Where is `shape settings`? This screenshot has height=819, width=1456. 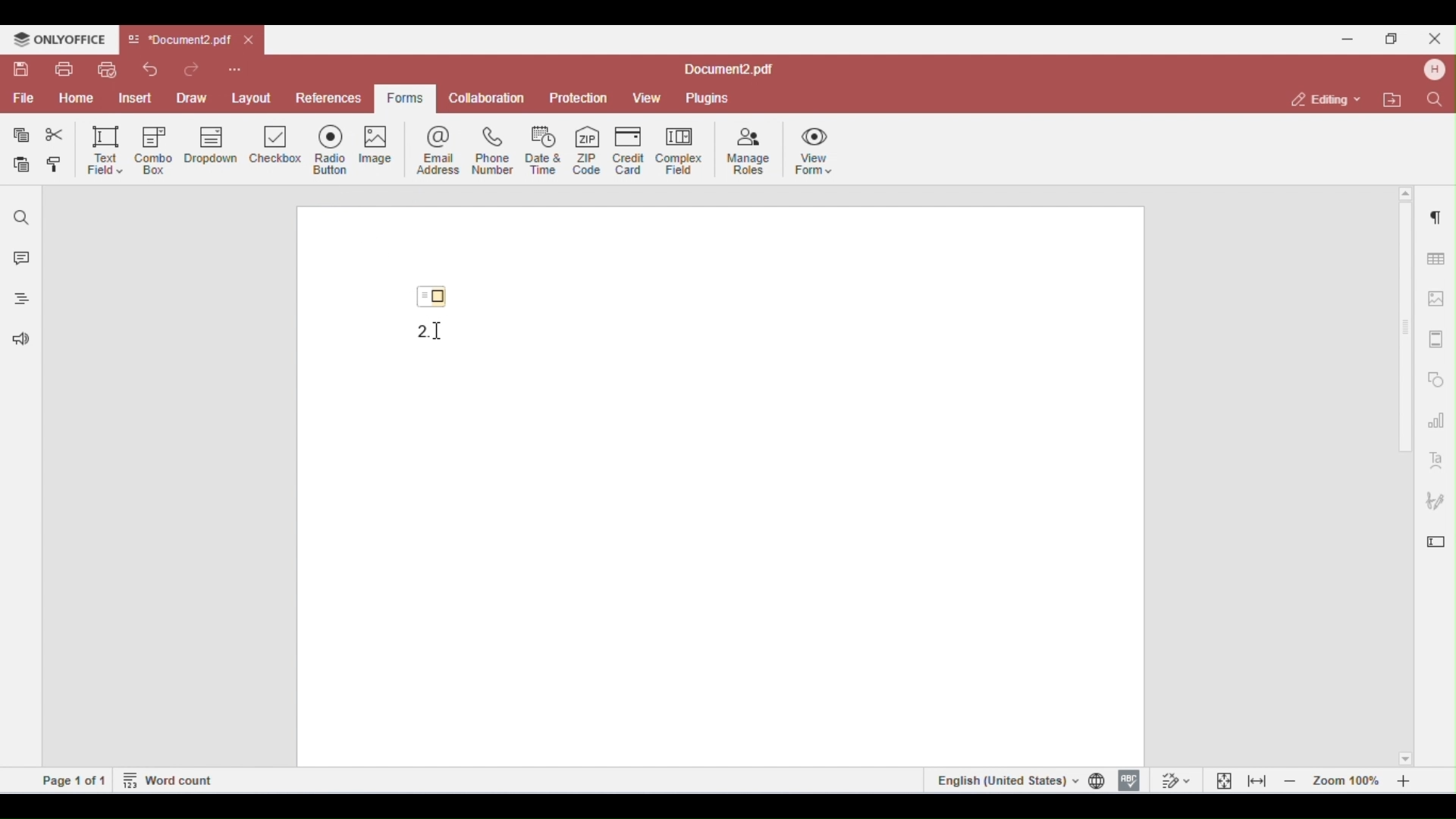 shape settings is located at coordinates (1436, 376).